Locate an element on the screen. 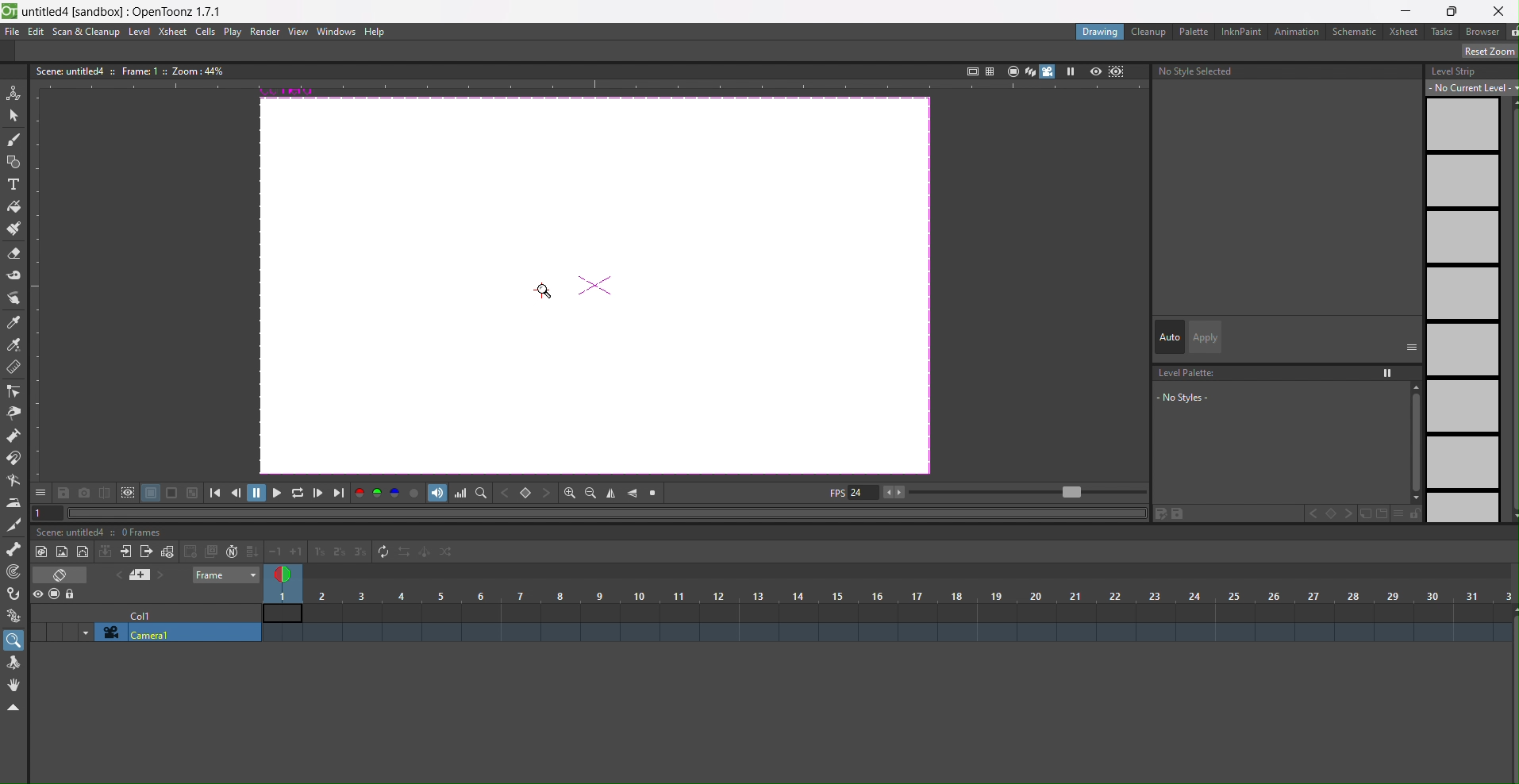  icon is located at coordinates (129, 494).